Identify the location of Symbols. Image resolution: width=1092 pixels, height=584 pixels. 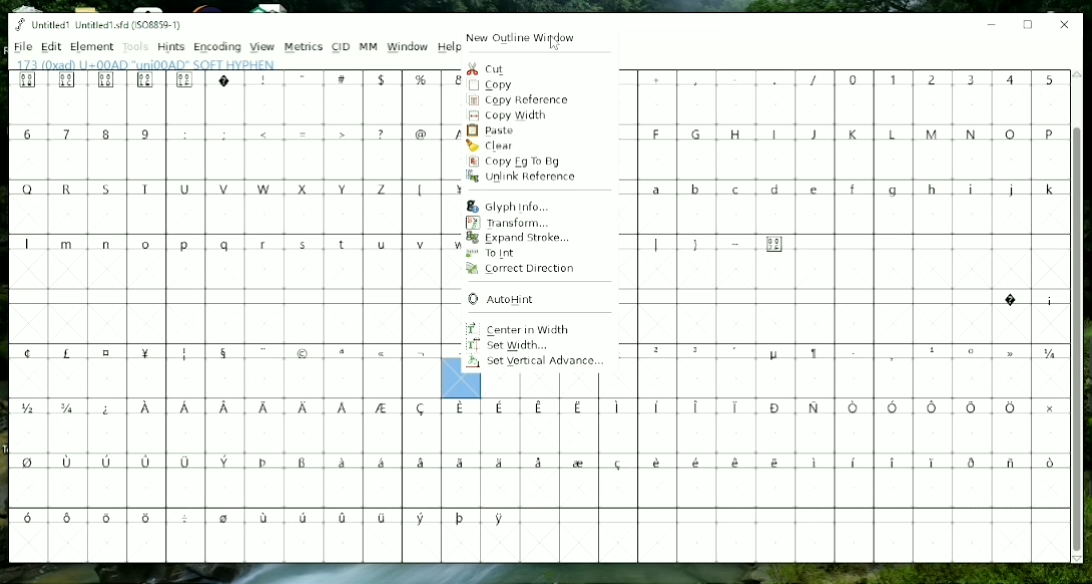
(1027, 298).